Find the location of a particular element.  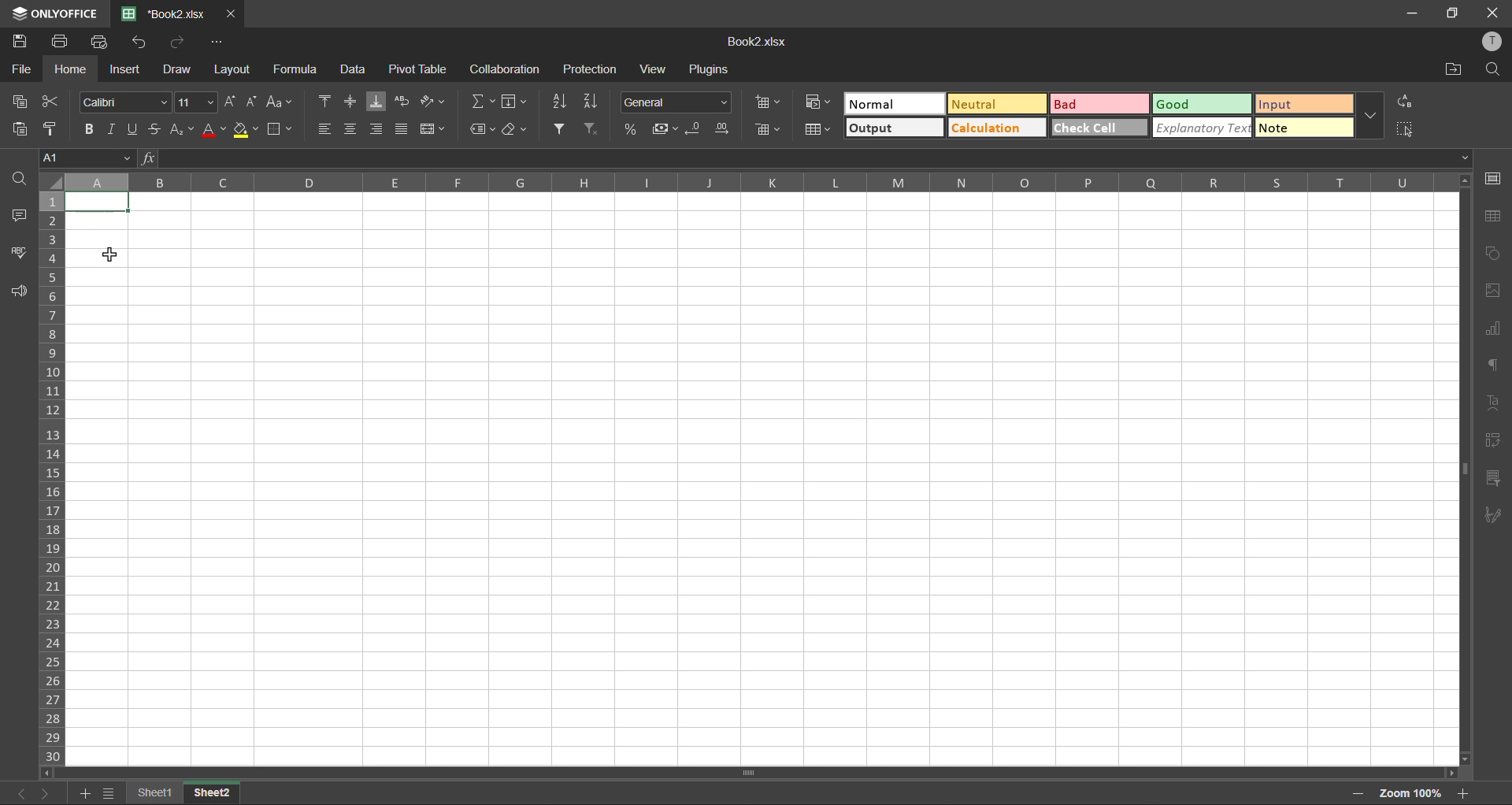

fields is located at coordinates (513, 103).